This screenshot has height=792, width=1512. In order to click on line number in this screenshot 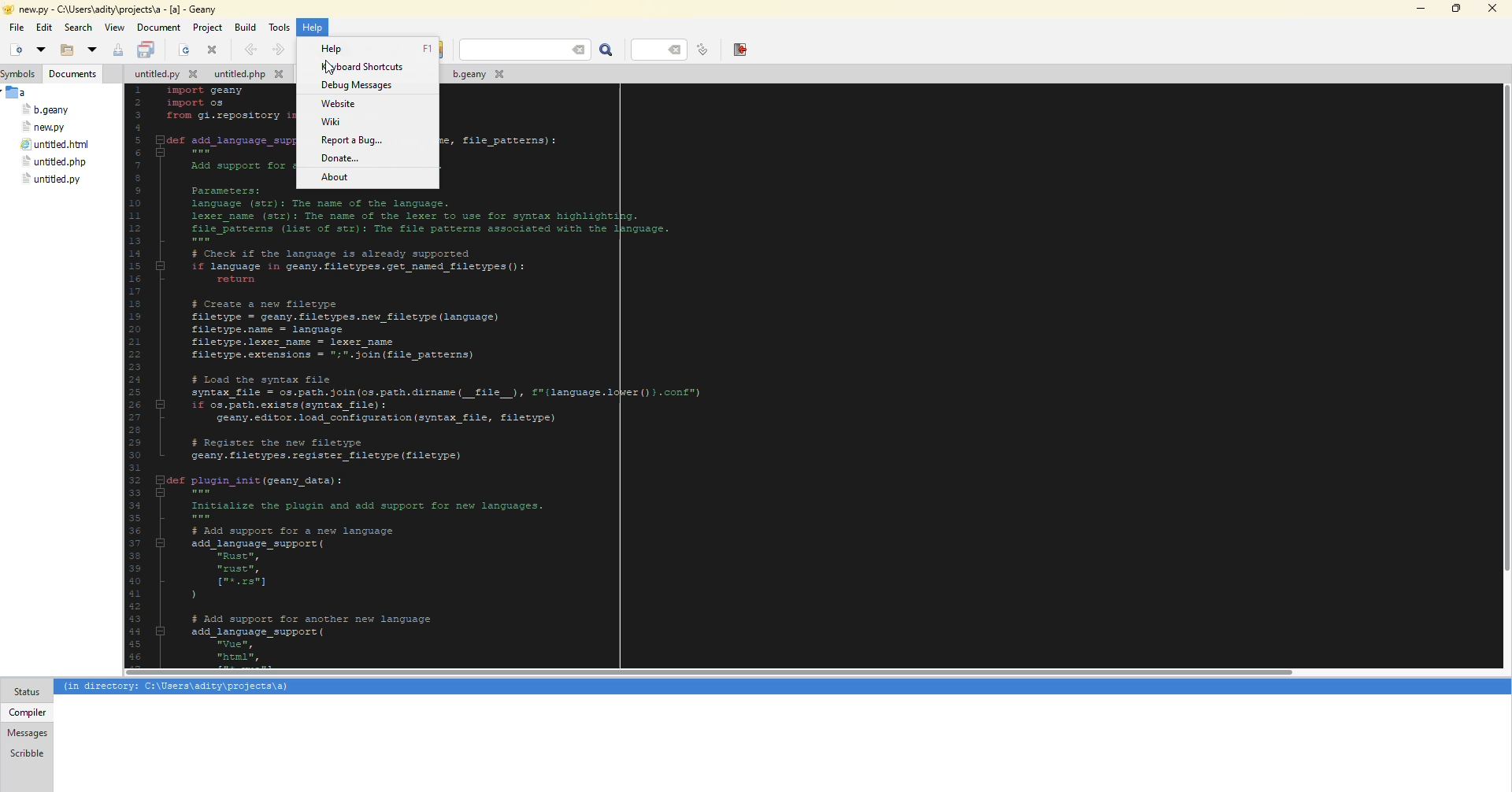, I will do `click(663, 49)`.